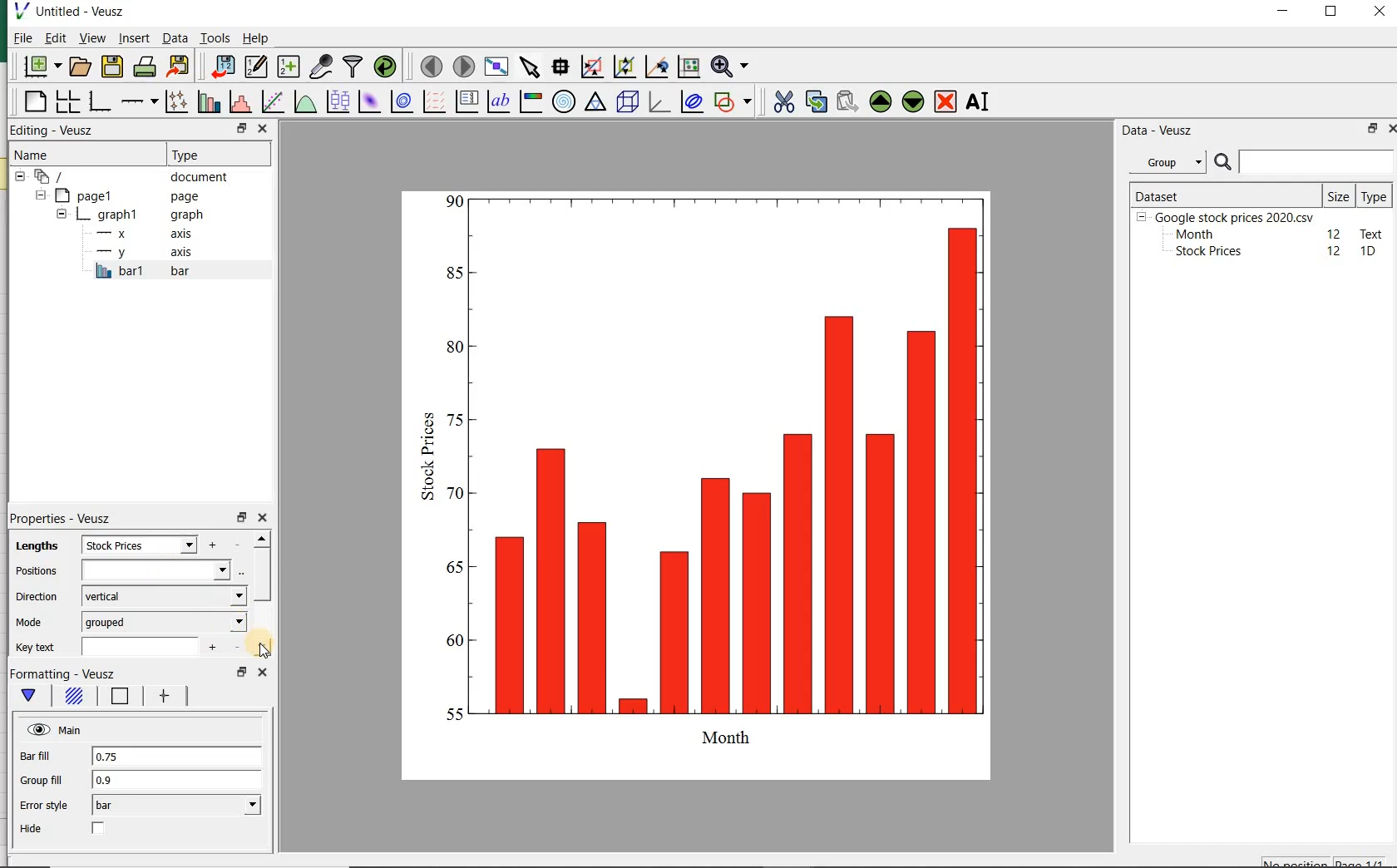 The image size is (1397, 868). What do you see at coordinates (215, 38) in the screenshot?
I see `Tools` at bounding box center [215, 38].